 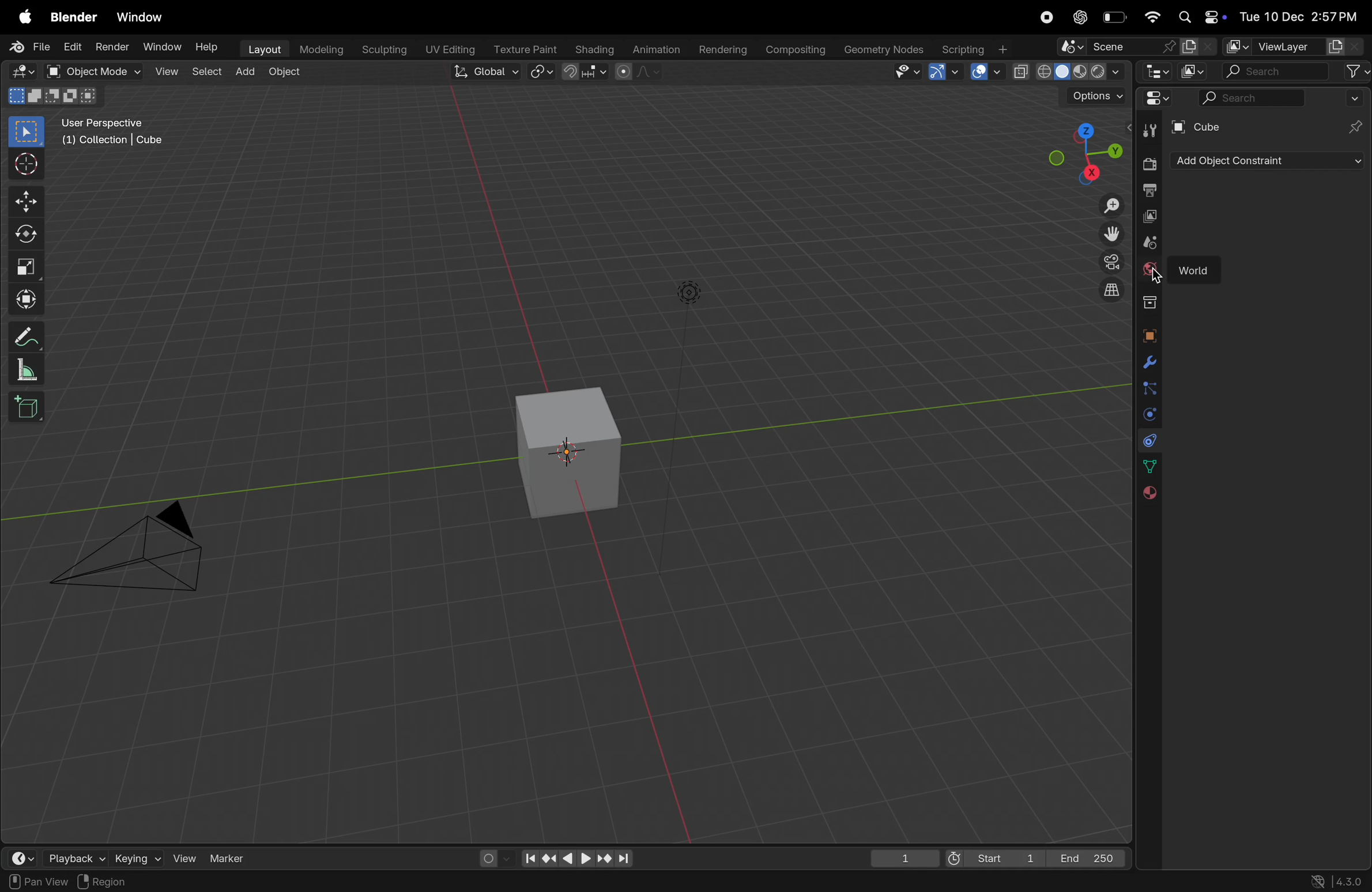 I want to click on Visibility, so click(x=909, y=73).